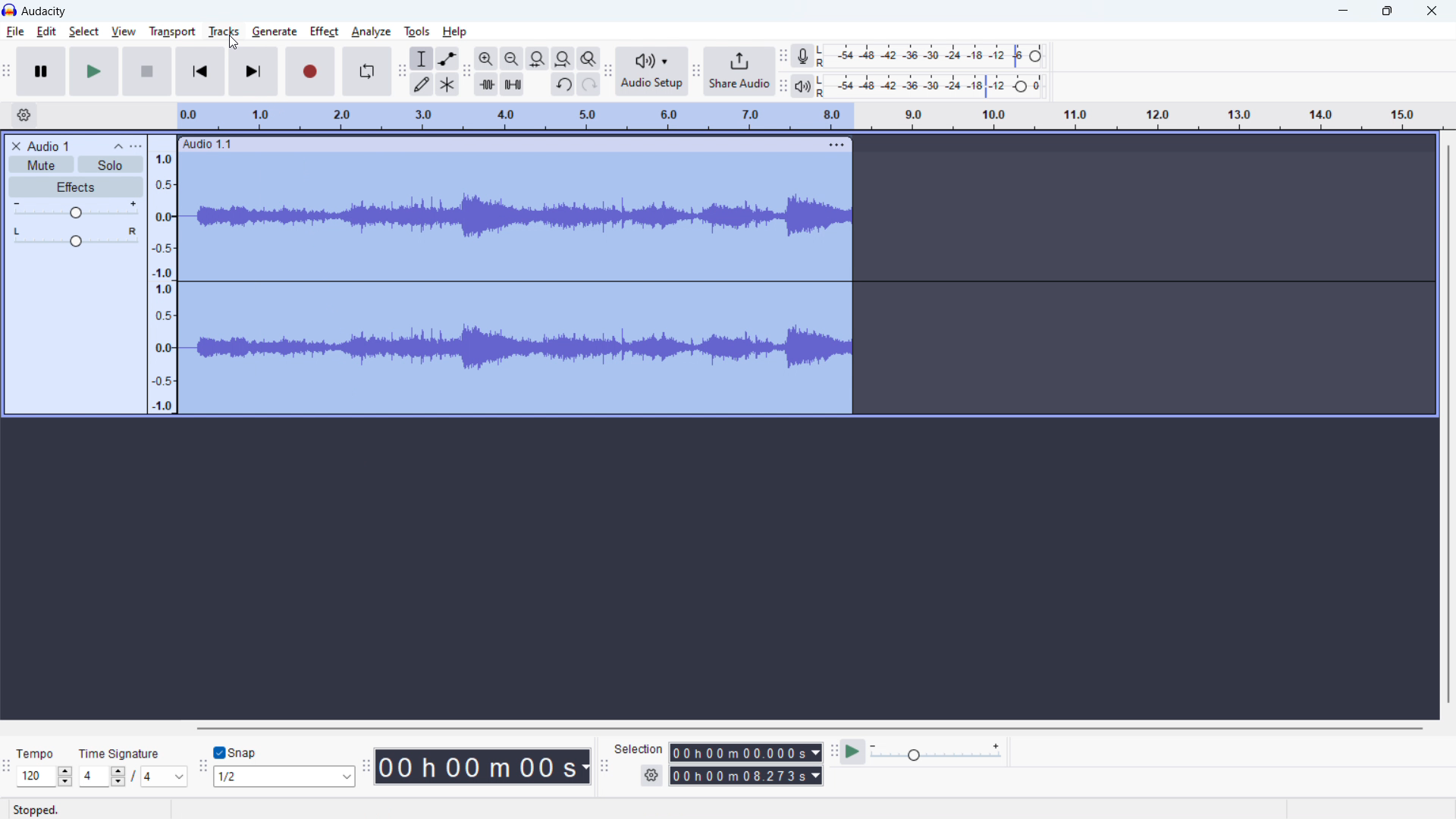 The image size is (1456, 819). I want to click on selection tool, so click(422, 58).